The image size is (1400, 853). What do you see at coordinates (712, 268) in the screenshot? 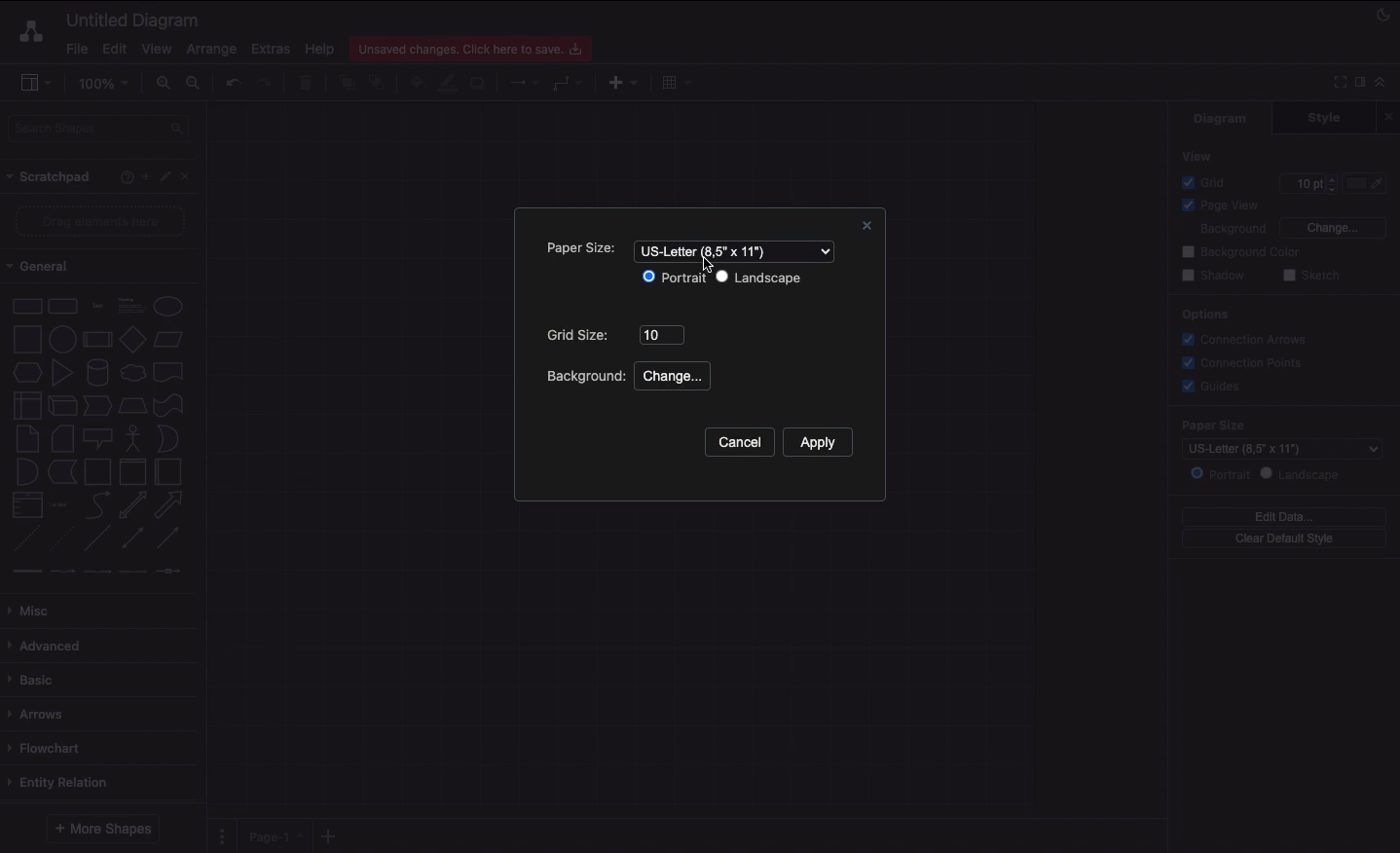
I see `Cursor` at bounding box center [712, 268].